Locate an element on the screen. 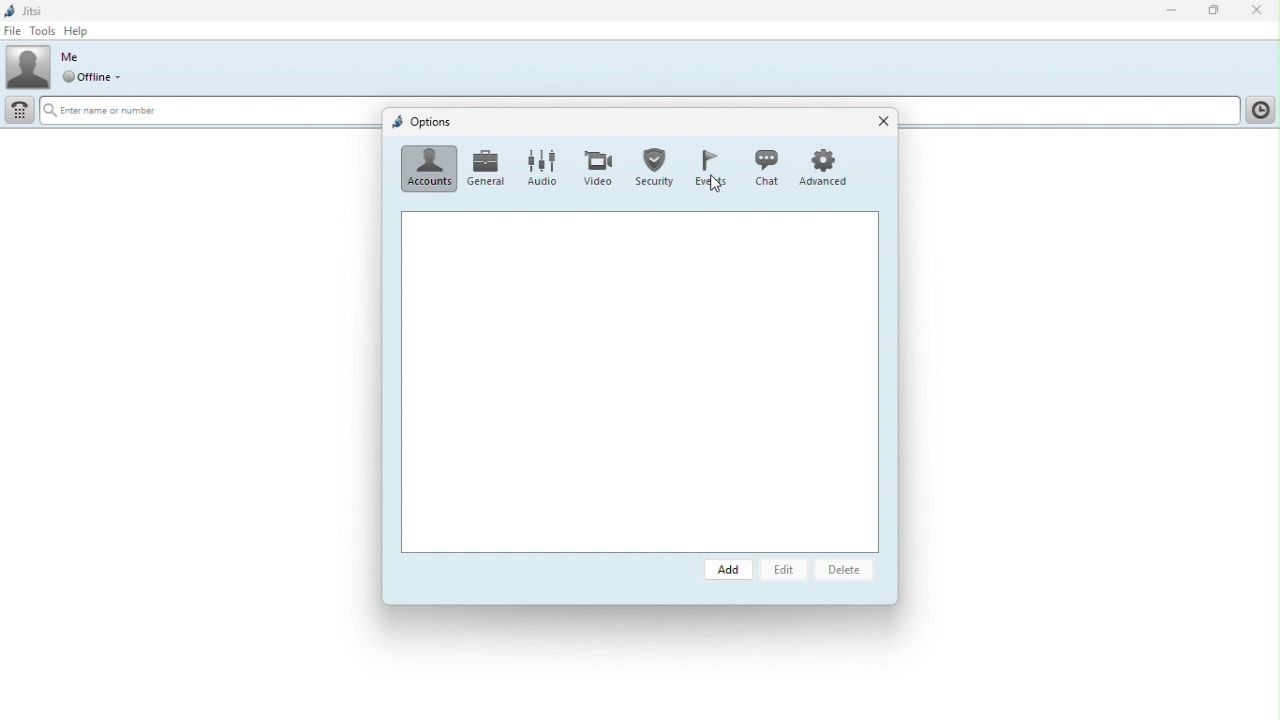 The width and height of the screenshot is (1280, 720). Audio is located at coordinates (540, 166).